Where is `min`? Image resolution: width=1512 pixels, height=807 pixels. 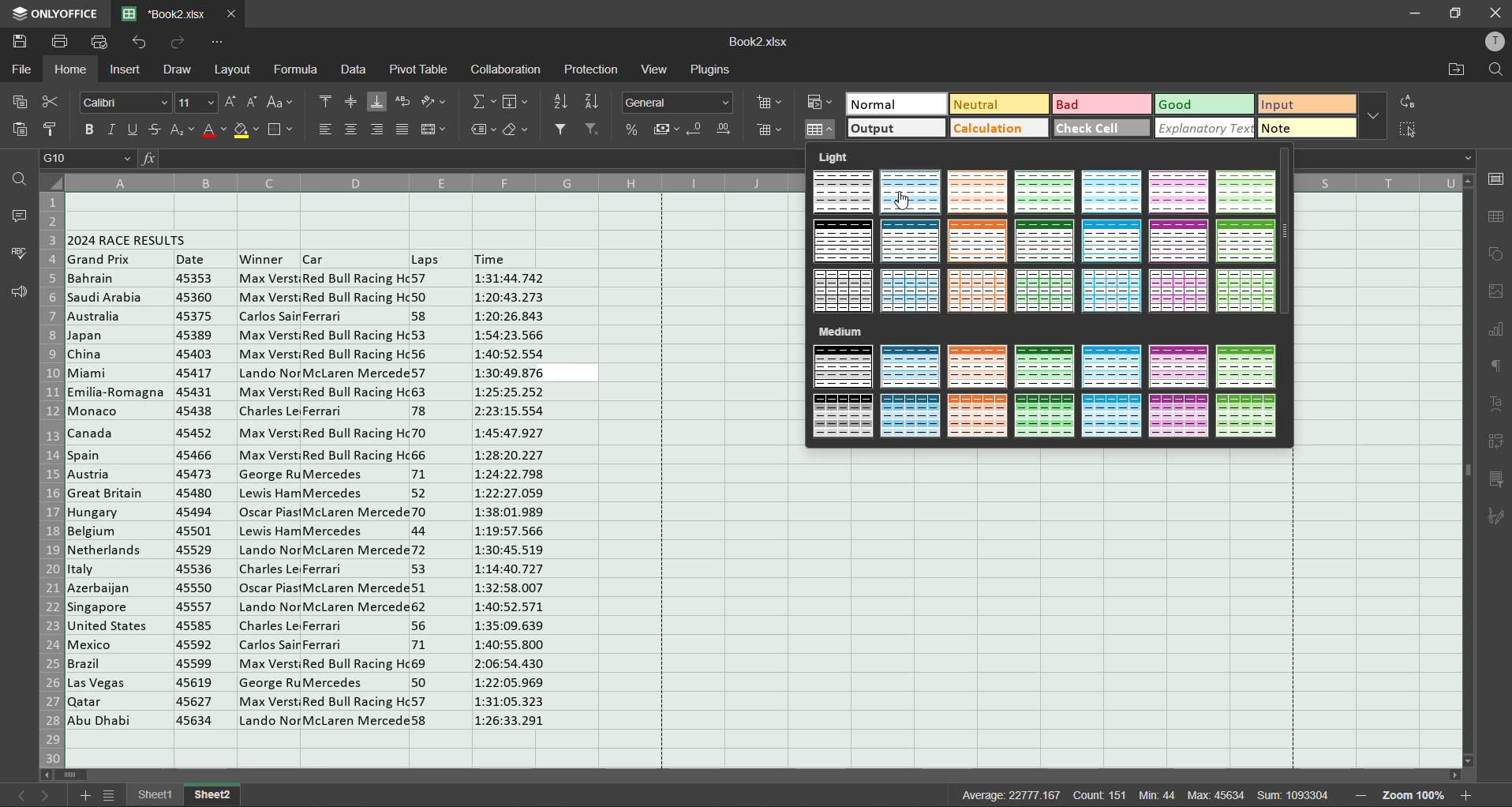 min is located at coordinates (1158, 795).